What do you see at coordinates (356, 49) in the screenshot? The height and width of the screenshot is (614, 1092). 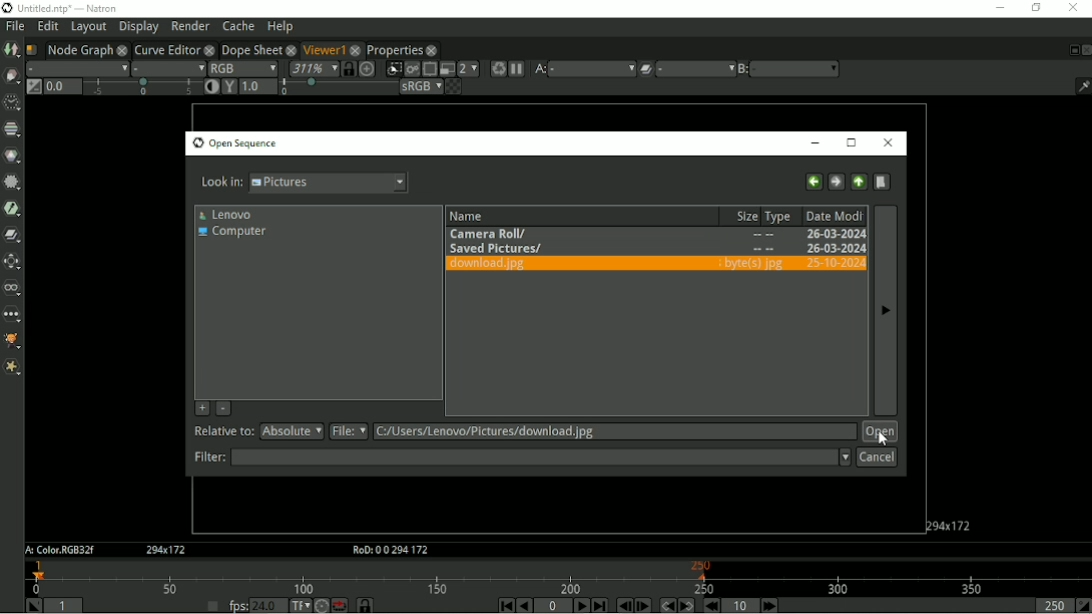 I see `close` at bounding box center [356, 49].